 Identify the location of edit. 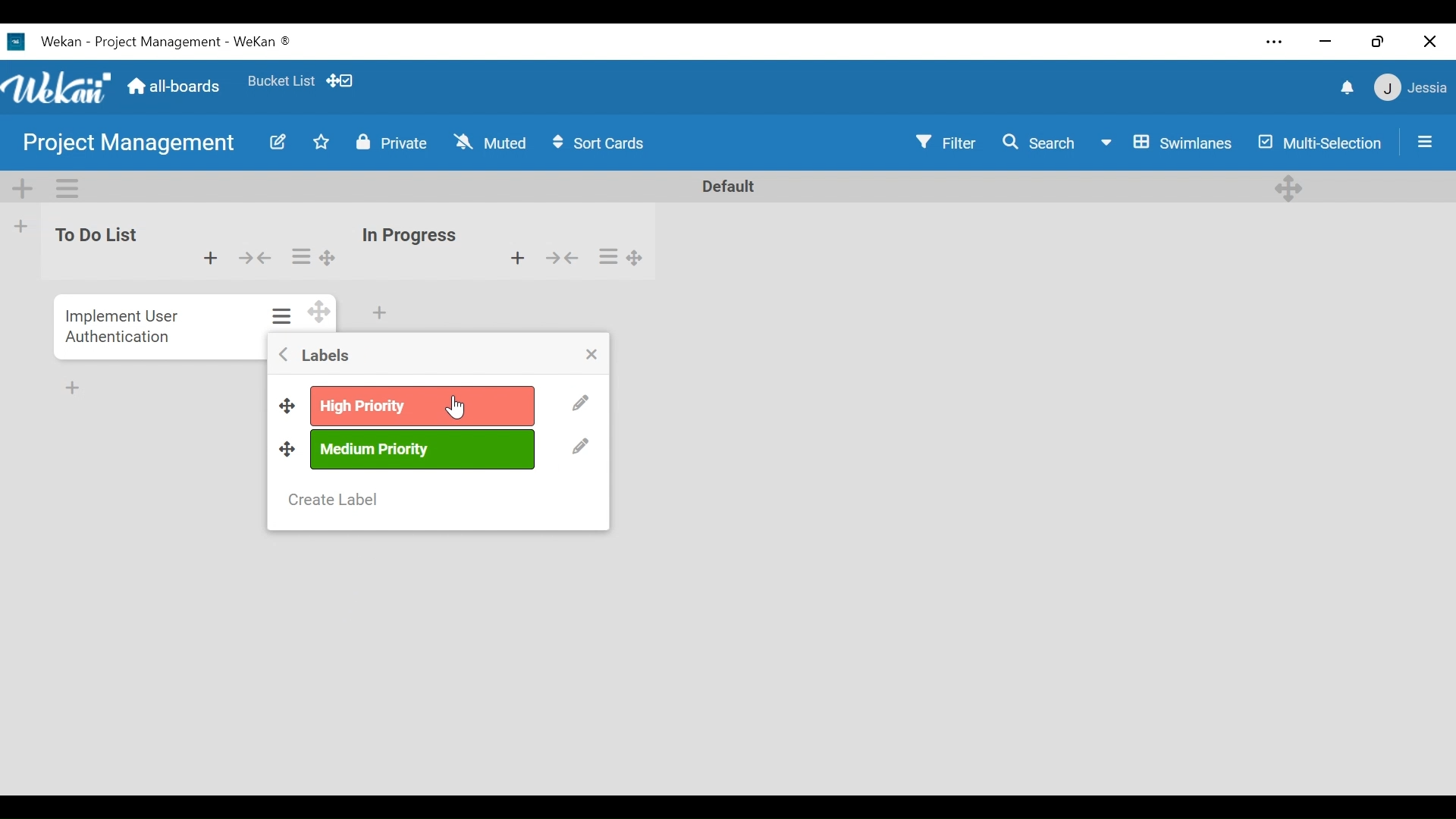
(582, 407).